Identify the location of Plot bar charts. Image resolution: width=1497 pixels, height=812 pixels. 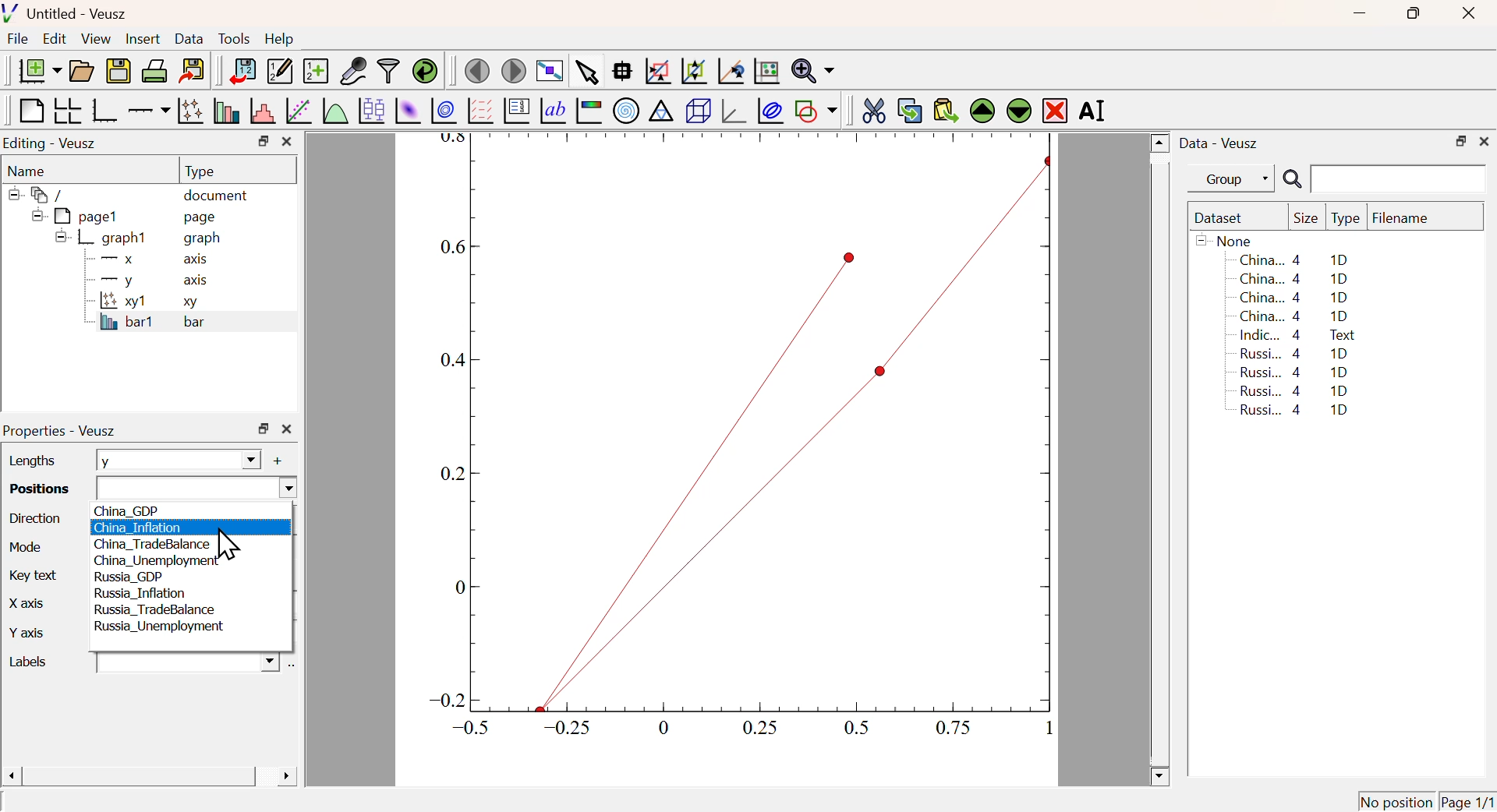
(226, 111).